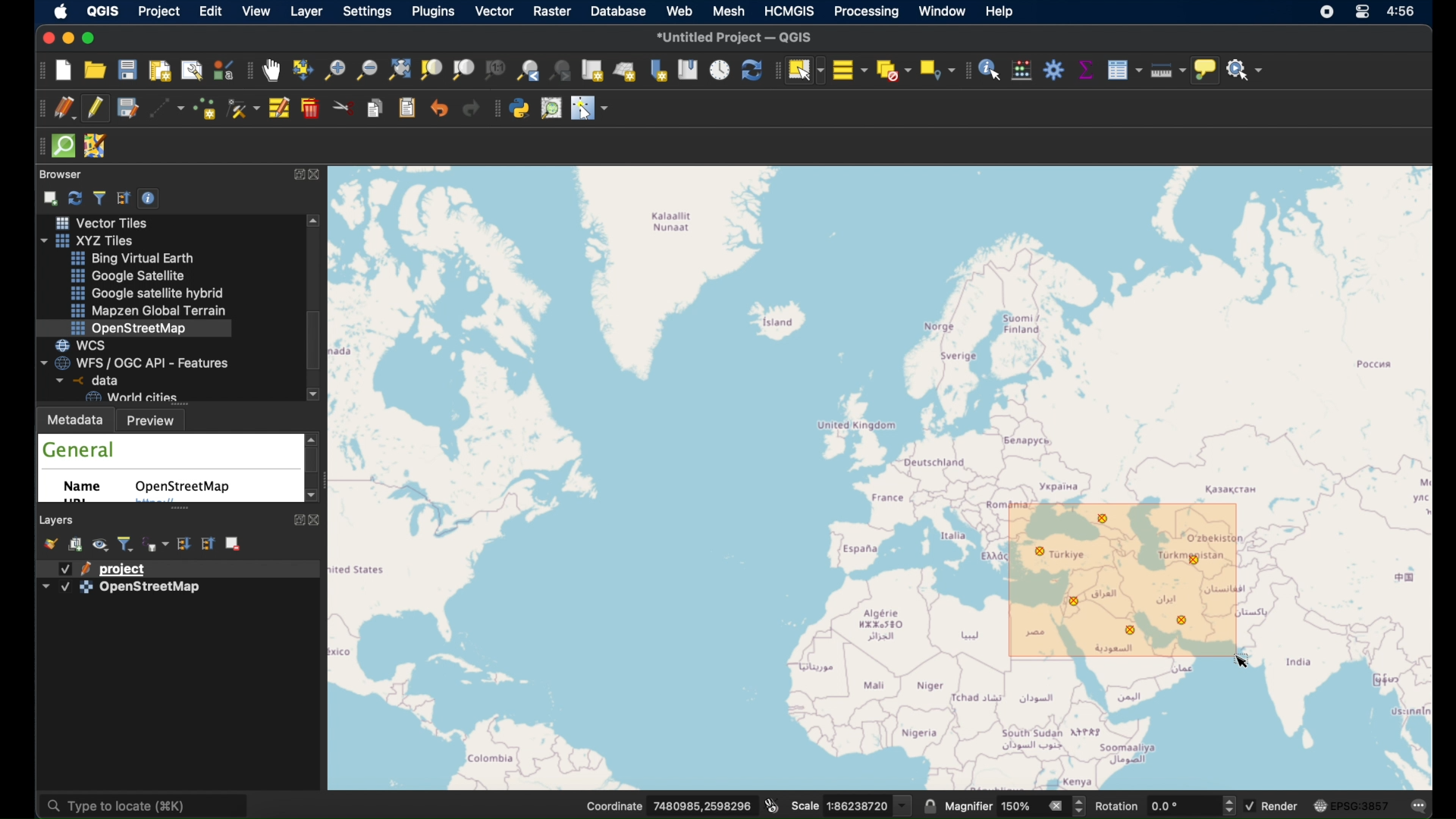  Describe the element at coordinates (439, 109) in the screenshot. I see `undo` at that location.